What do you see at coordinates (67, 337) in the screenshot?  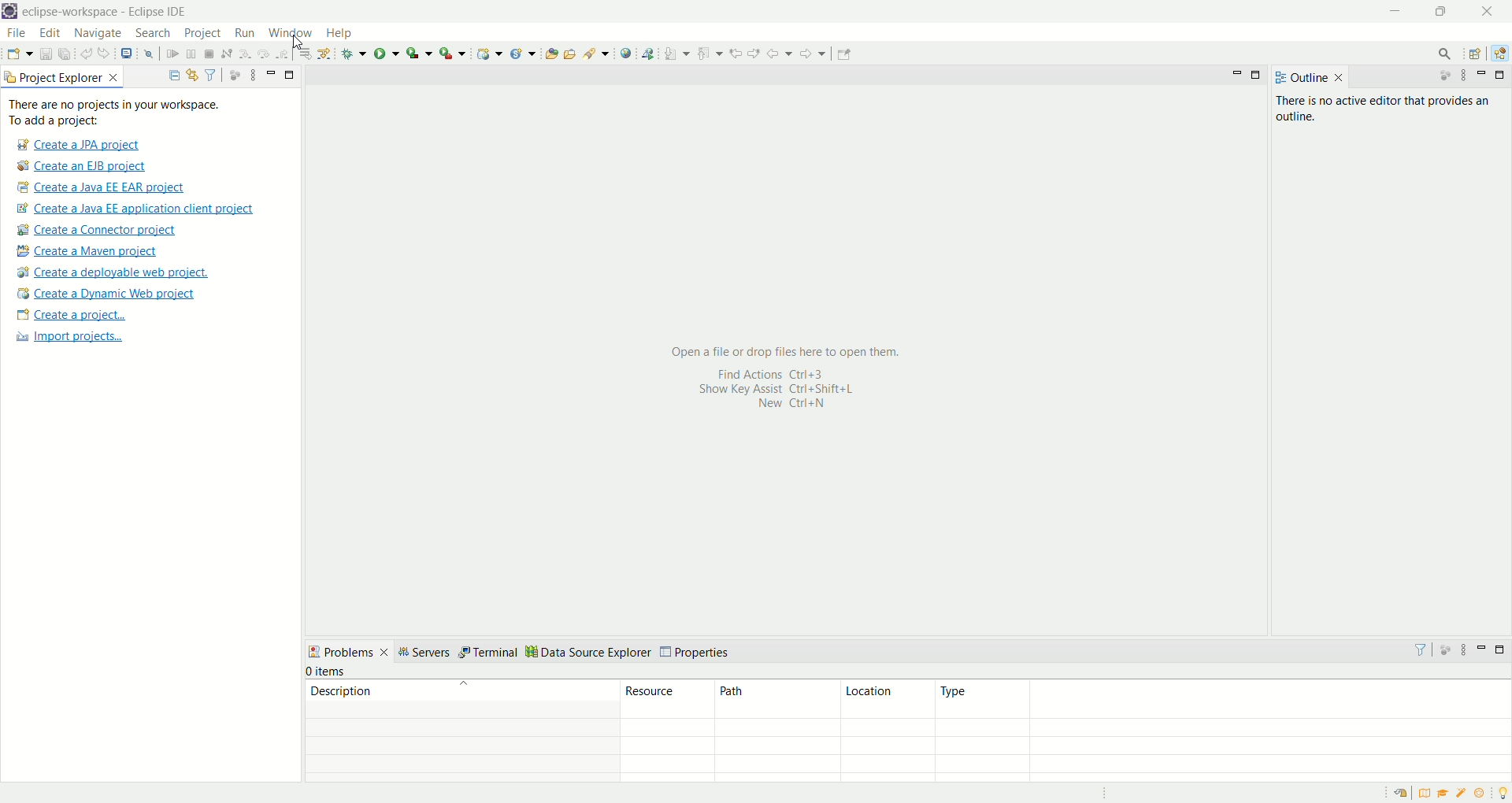 I see `import projects` at bounding box center [67, 337].